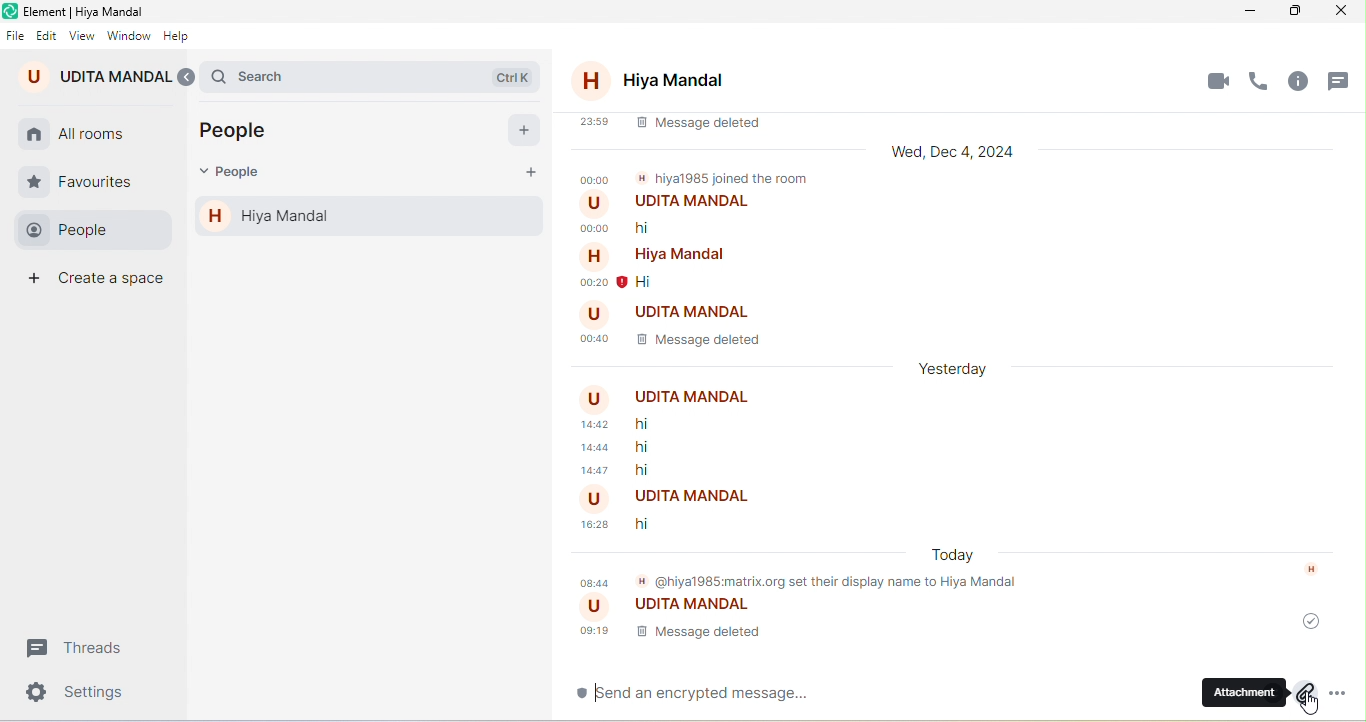  What do you see at coordinates (86, 179) in the screenshot?
I see `favourite` at bounding box center [86, 179].